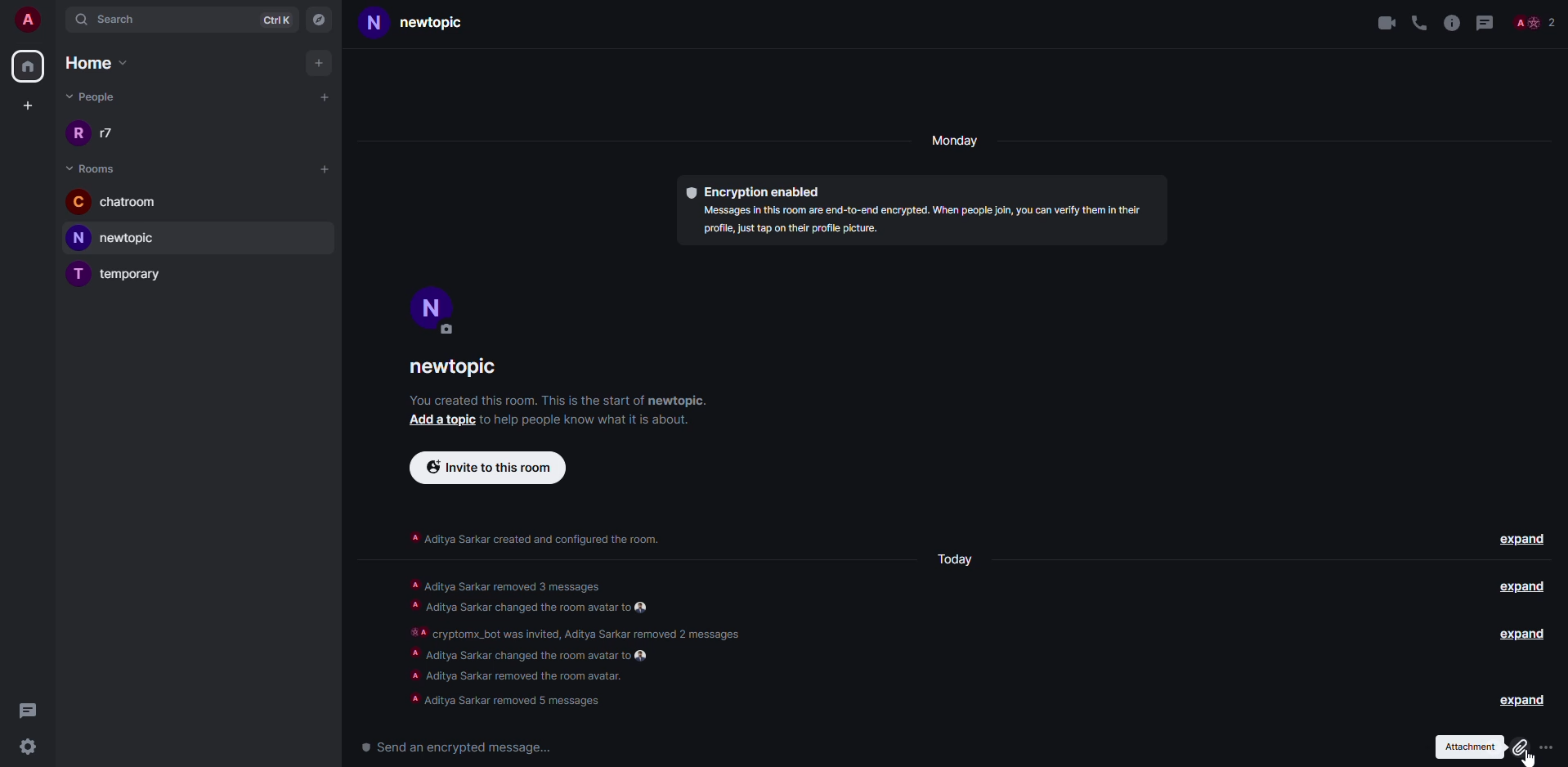  What do you see at coordinates (127, 274) in the screenshot?
I see `room` at bounding box center [127, 274].